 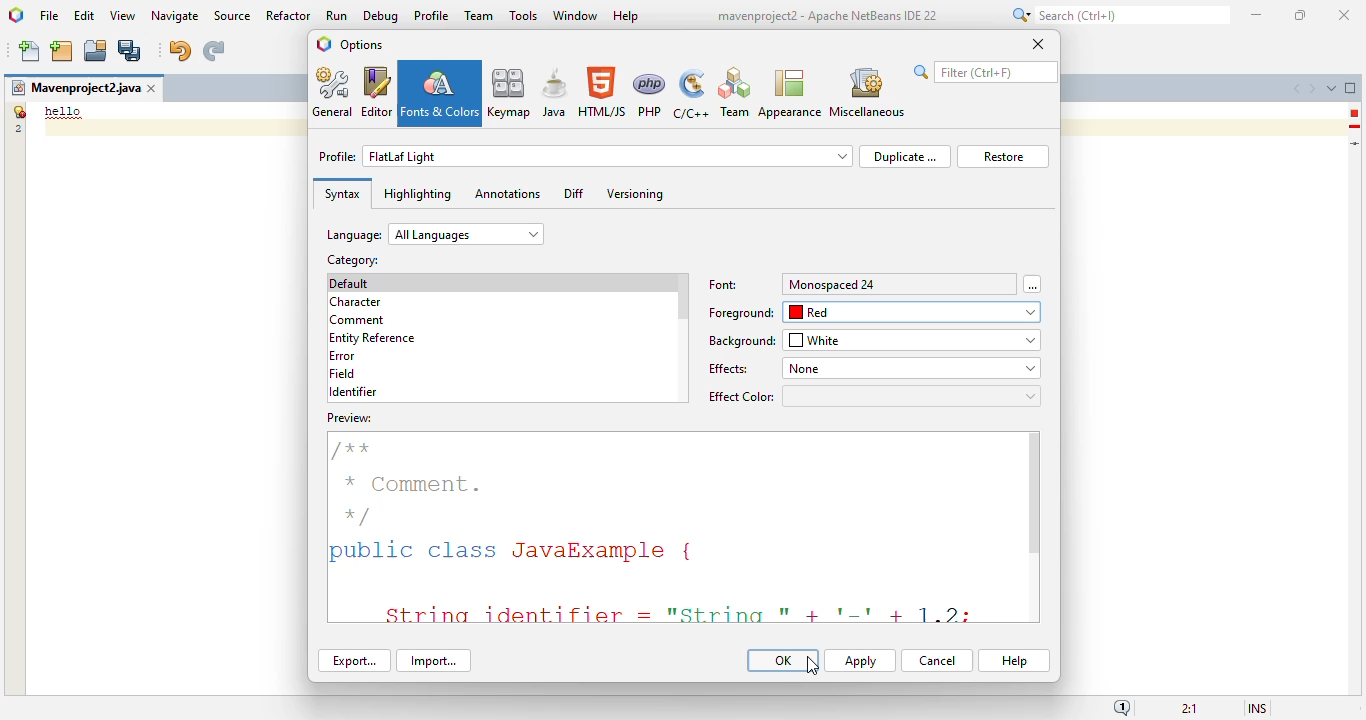 What do you see at coordinates (743, 341) in the screenshot?
I see `background: ` at bounding box center [743, 341].